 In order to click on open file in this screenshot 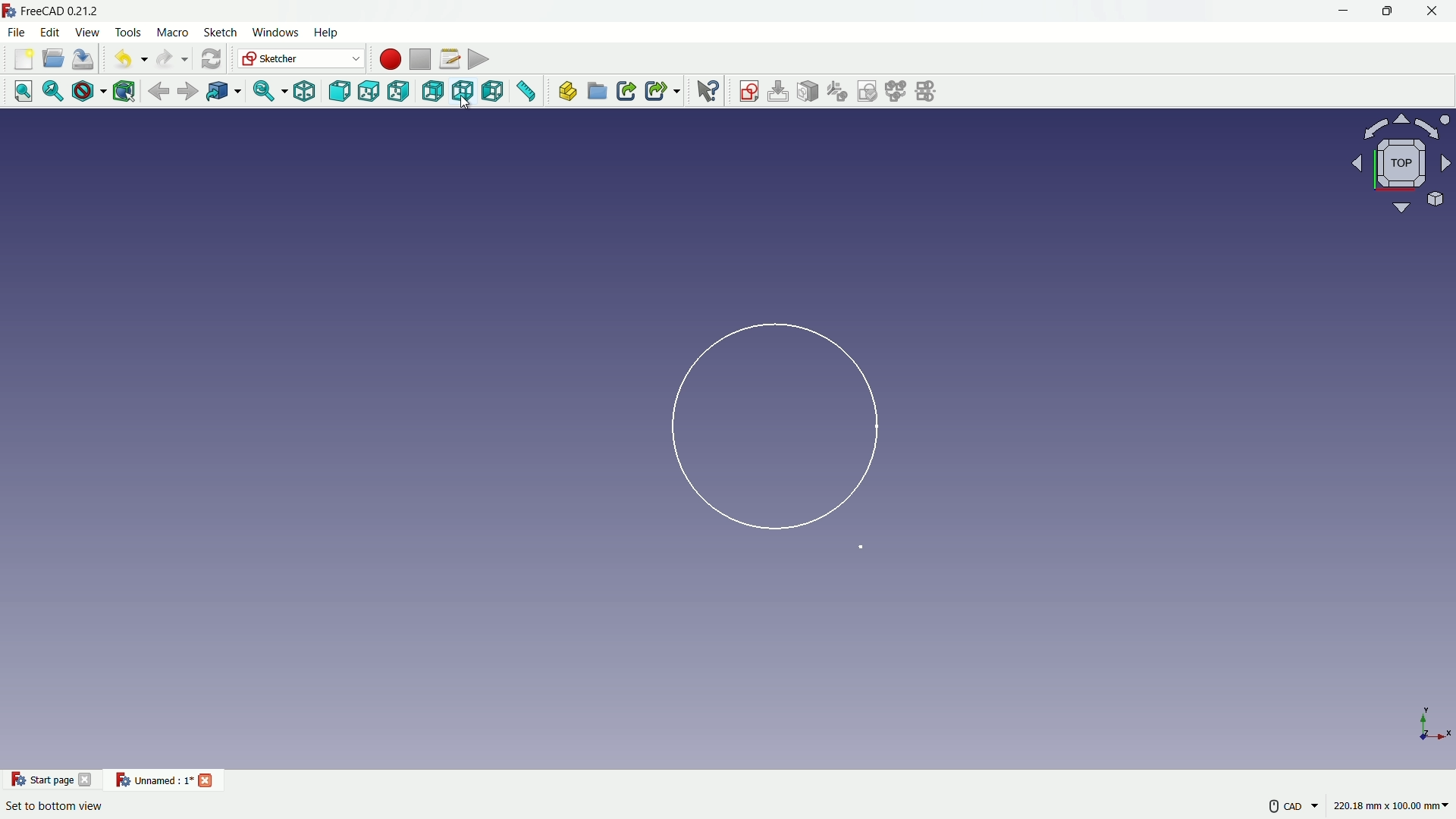, I will do `click(54, 59)`.